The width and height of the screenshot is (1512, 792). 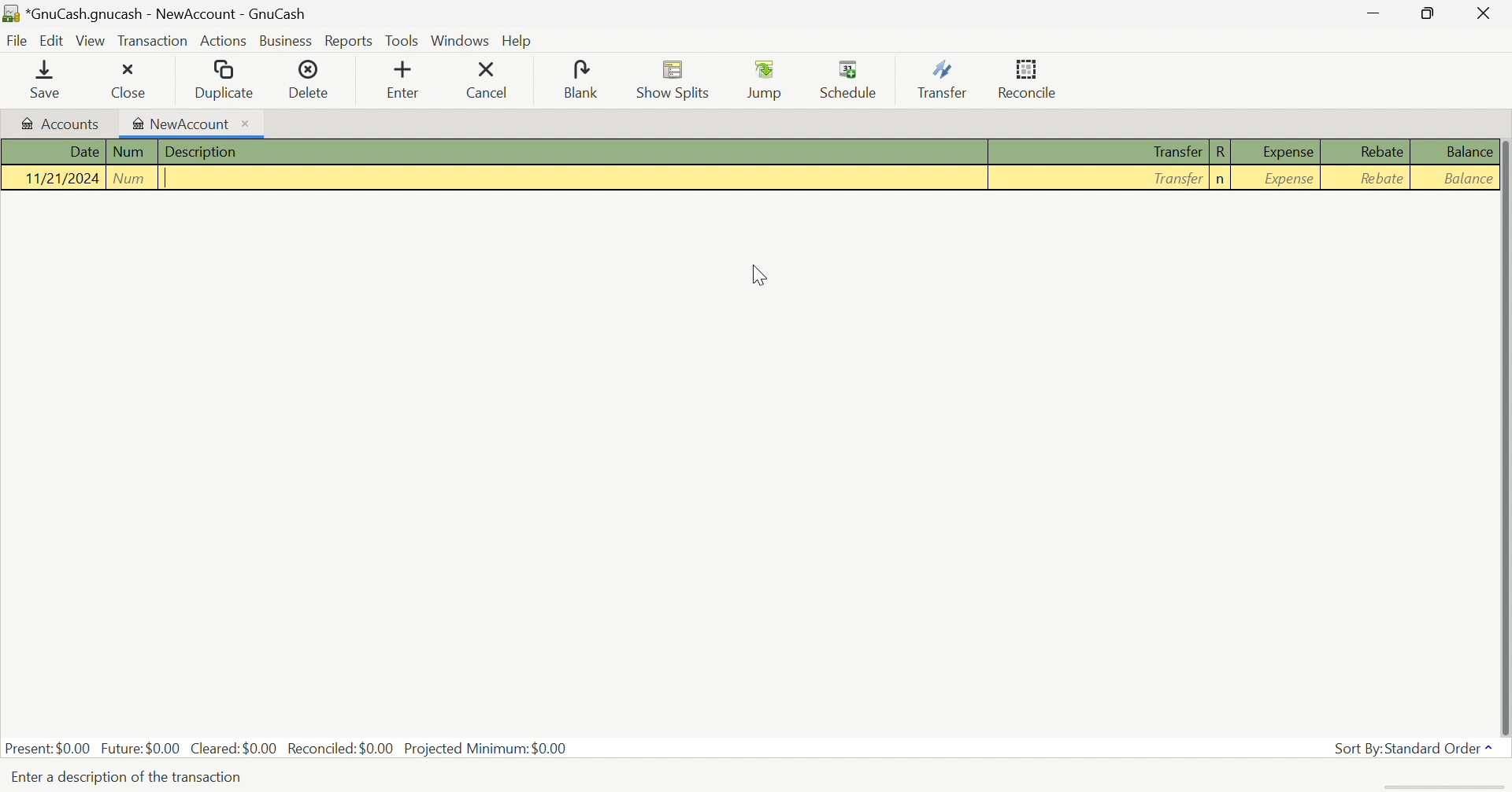 What do you see at coordinates (1281, 152) in the screenshot?
I see `Expense` at bounding box center [1281, 152].